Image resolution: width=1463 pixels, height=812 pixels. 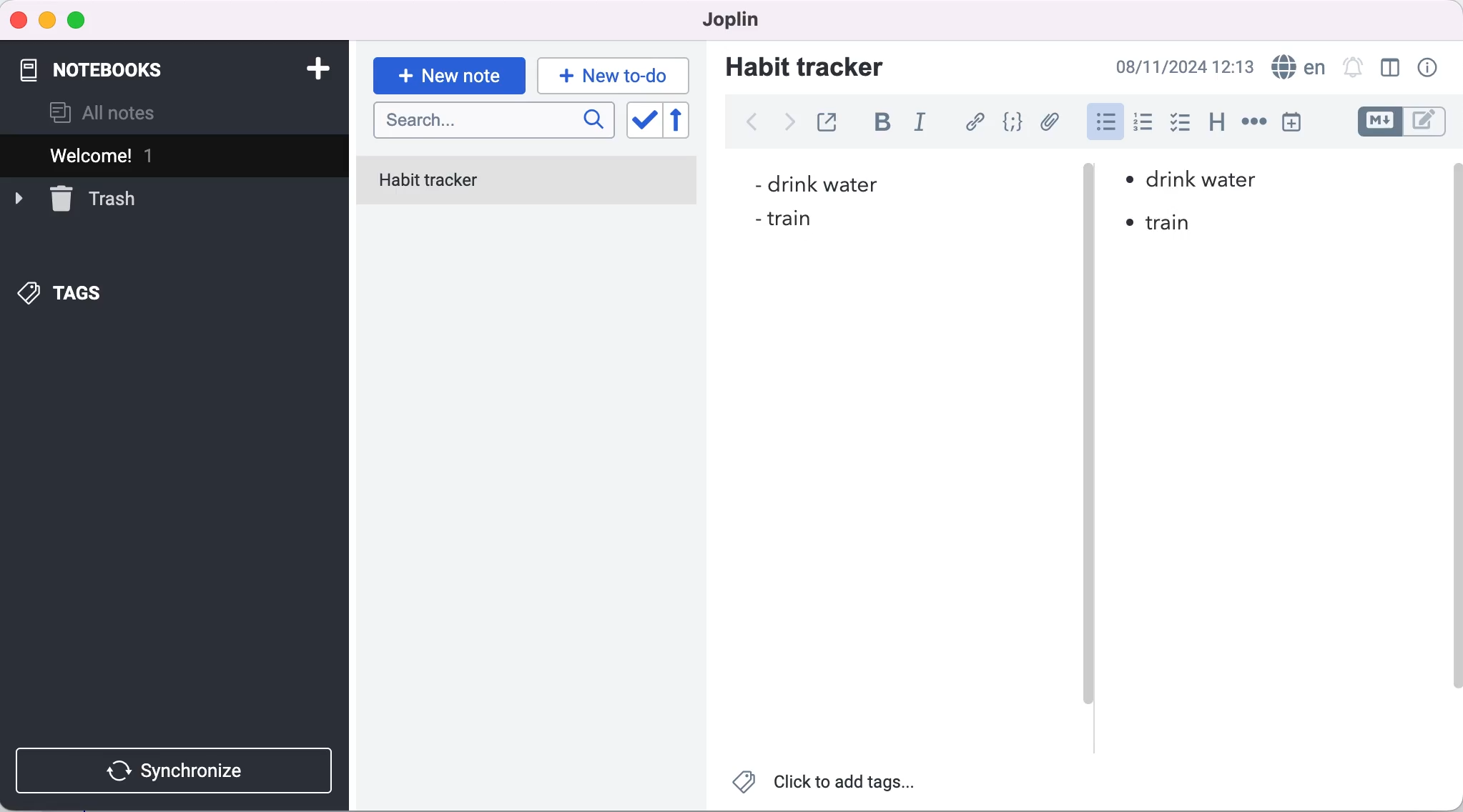 I want to click on typing, so click(x=614, y=75).